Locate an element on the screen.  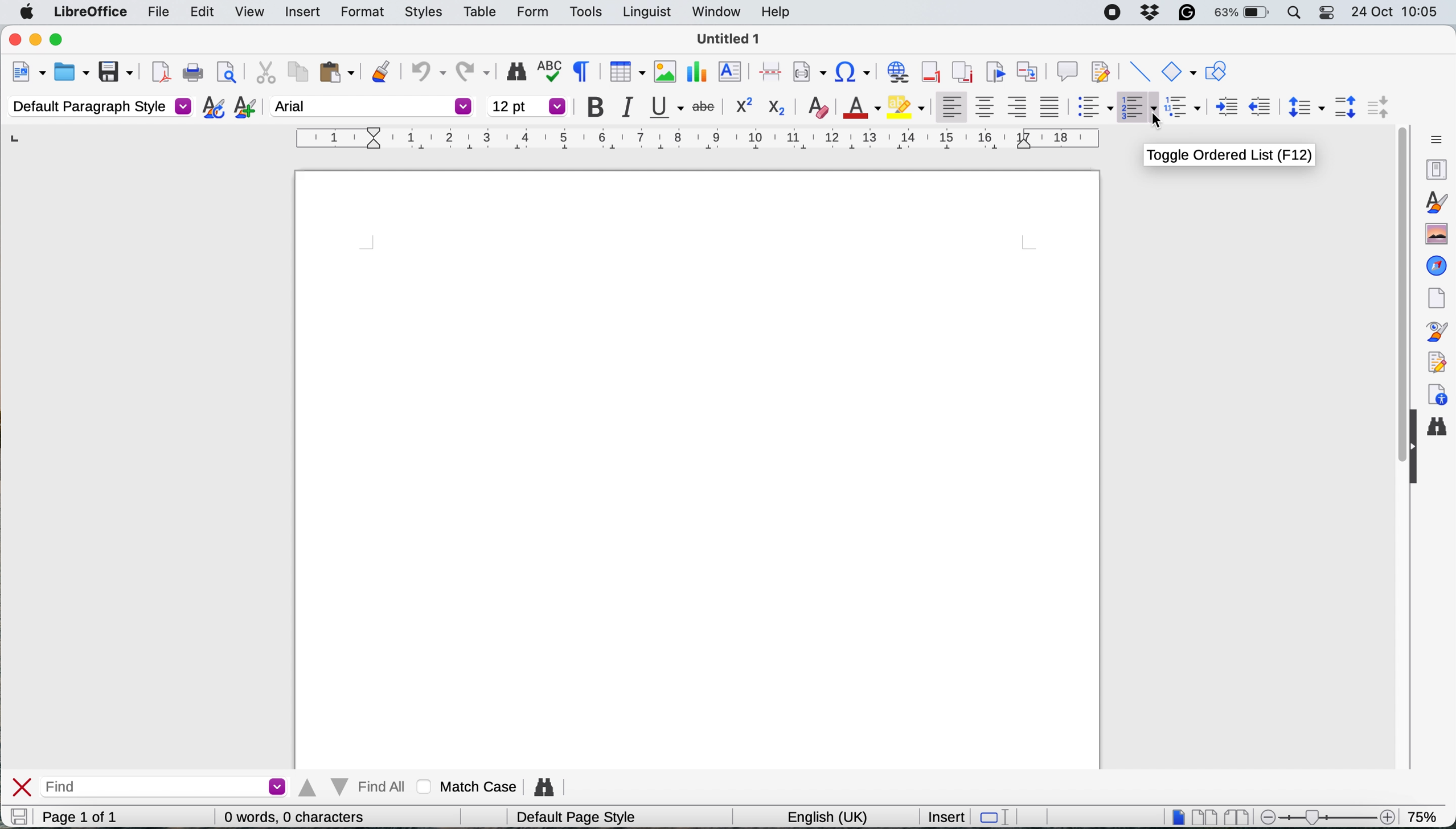
set line spacing is located at coordinates (1303, 106).